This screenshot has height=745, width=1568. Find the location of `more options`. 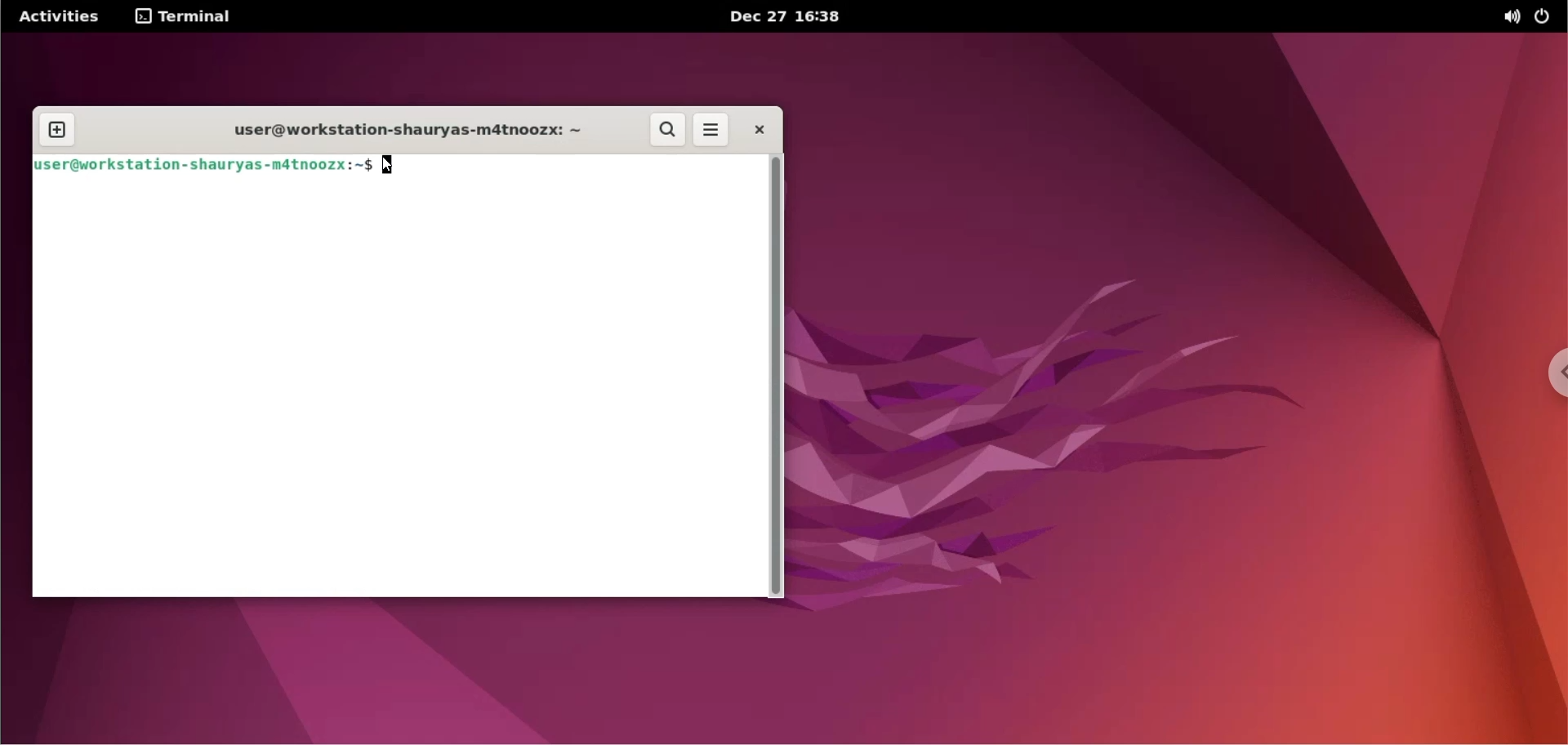

more options is located at coordinates (712, 129).